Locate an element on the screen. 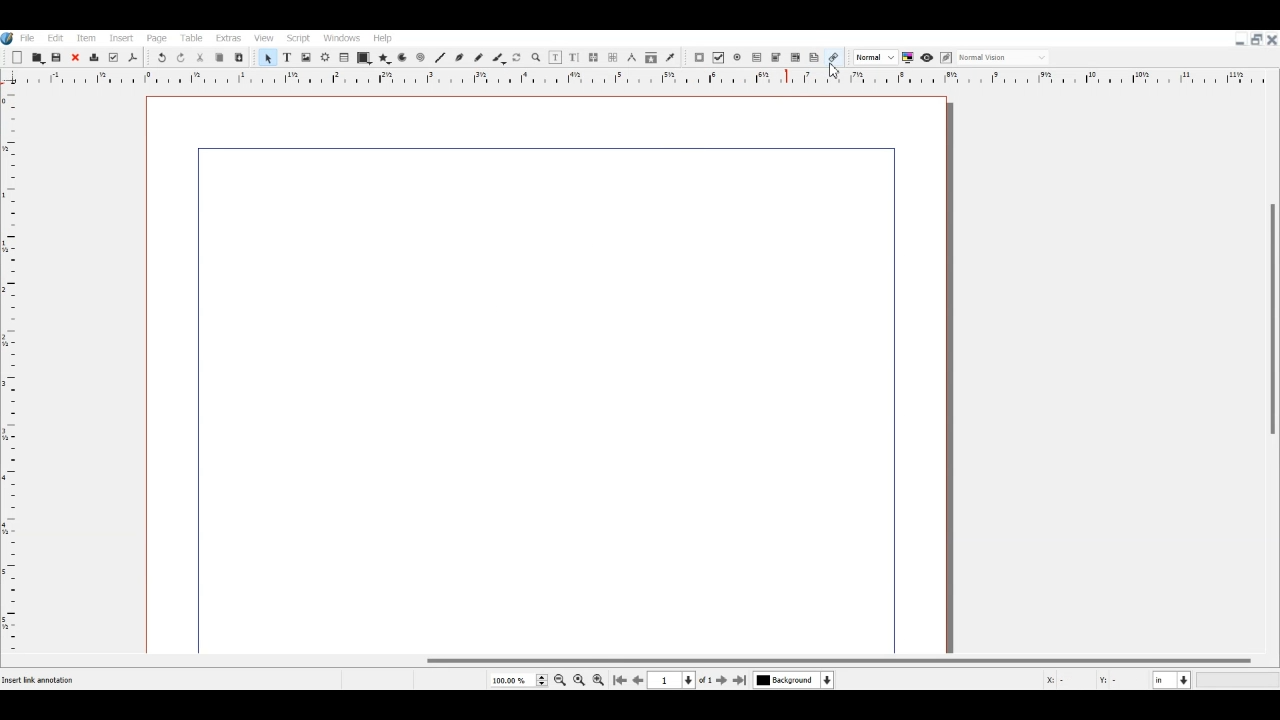 This screenshot has height=720, width=1280. Cut is located at coordinates (200, 57).